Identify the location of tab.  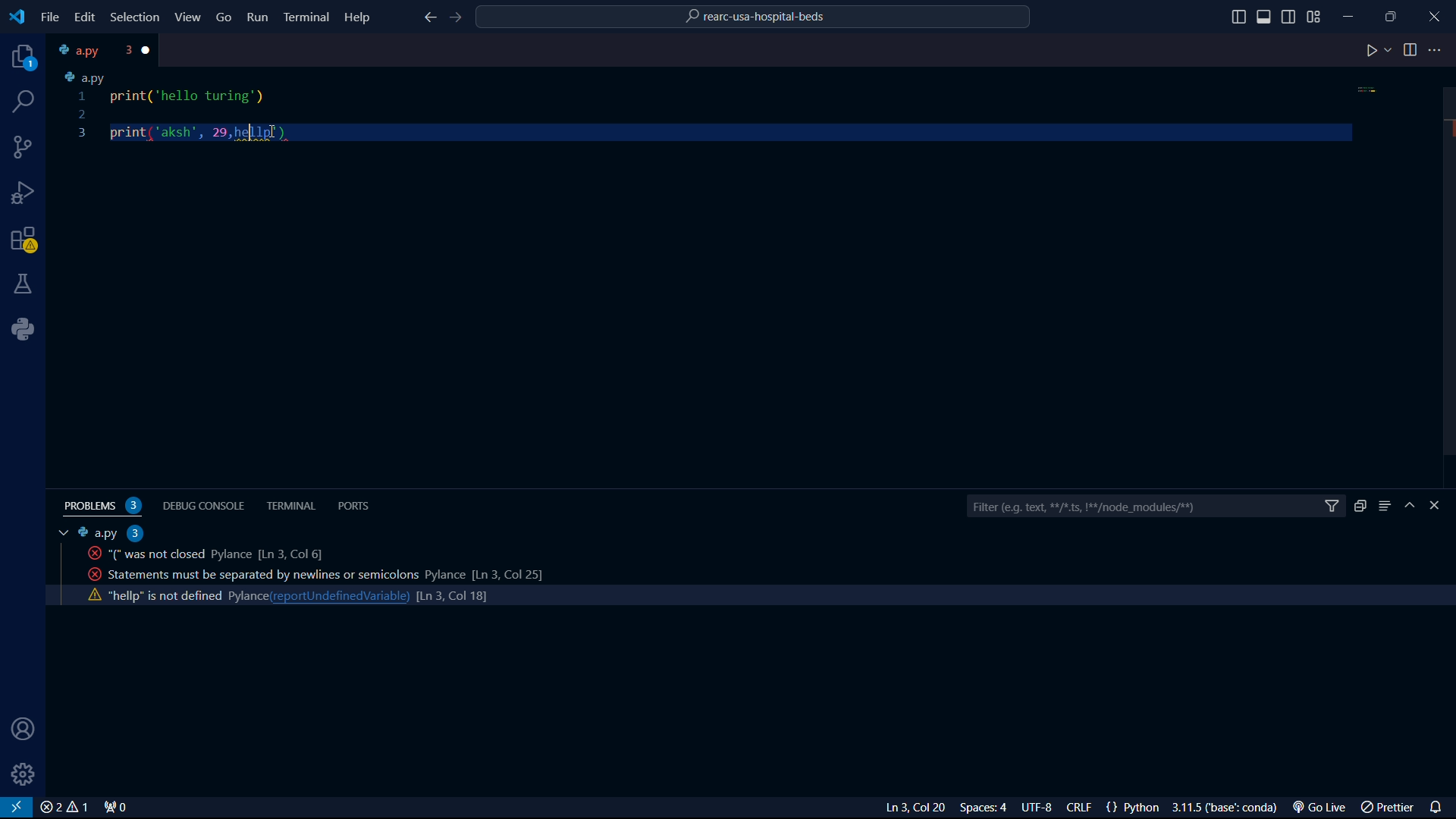
(92, 50).